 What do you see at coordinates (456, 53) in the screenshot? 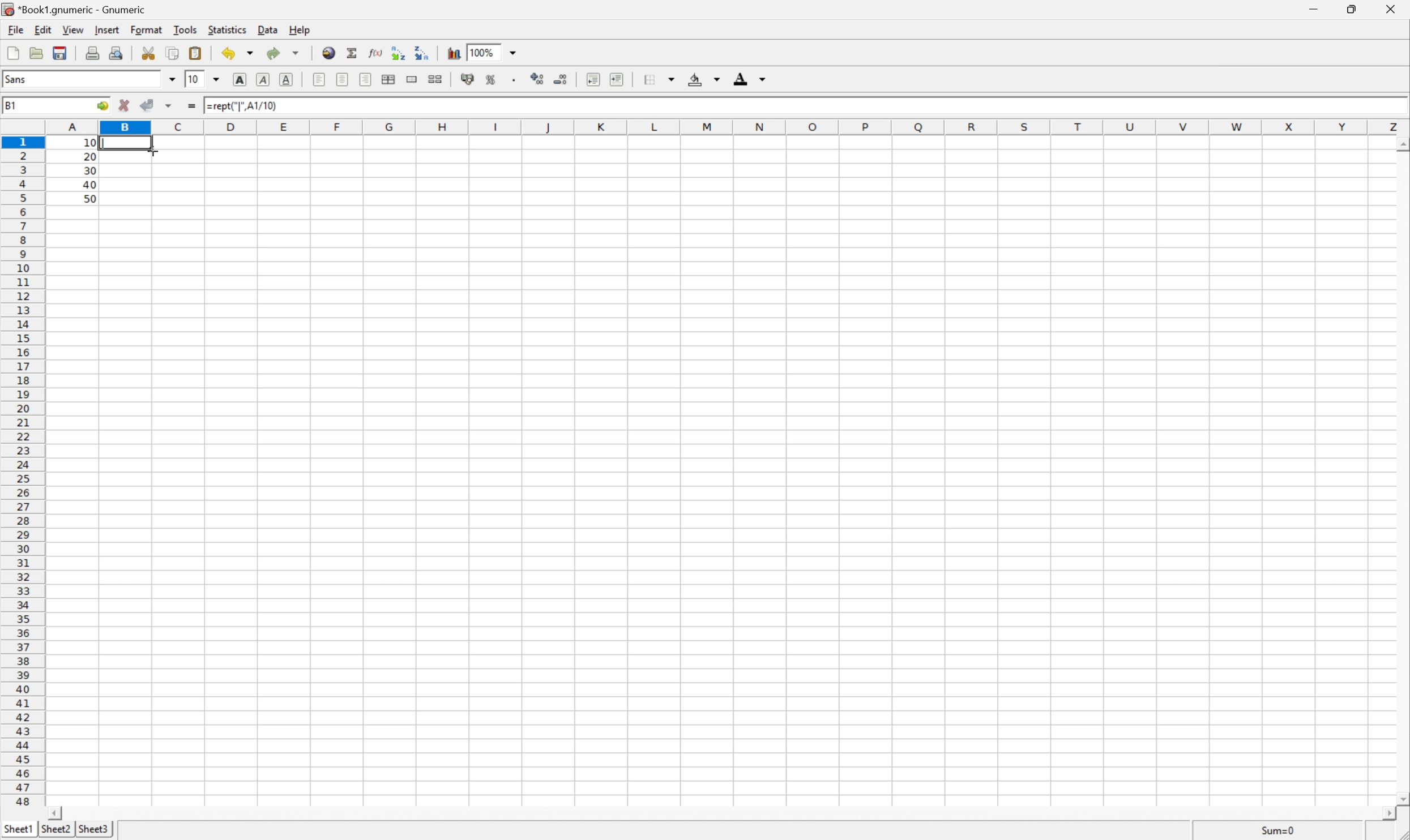
I see `Insert chart` at bounding box center [456, 53].